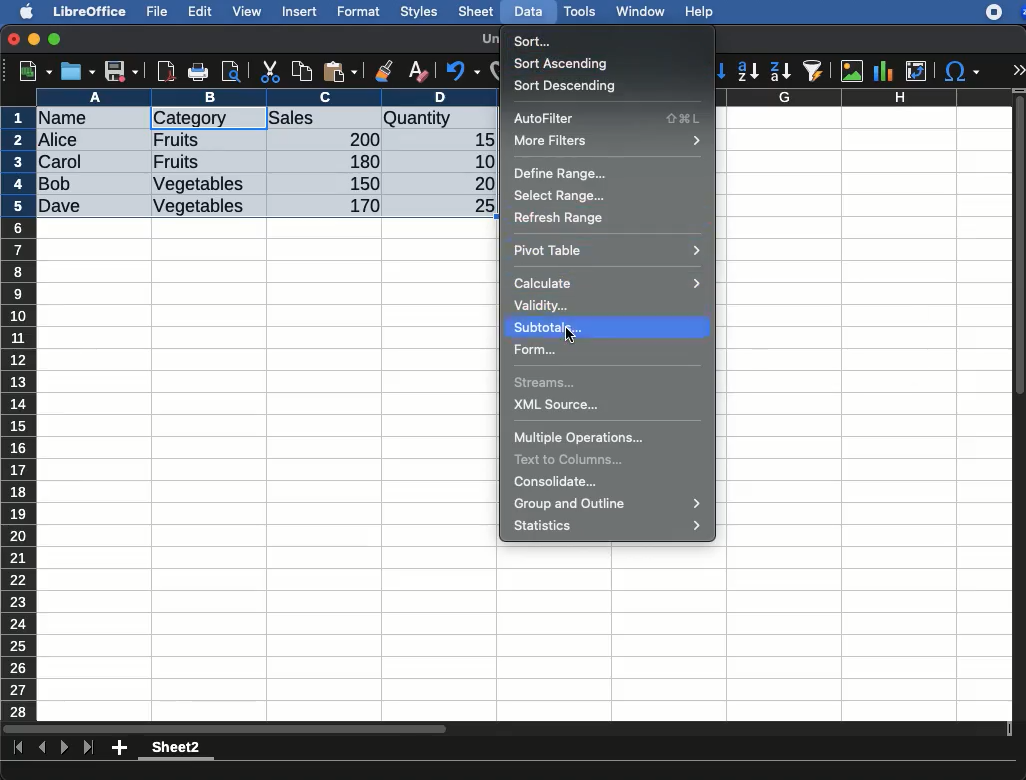 This screenshot has height=780, width=1026. What do you see at coordinates (20, 748) in the screenshot?
I see `first sheet` at bounding box center [20, 748].